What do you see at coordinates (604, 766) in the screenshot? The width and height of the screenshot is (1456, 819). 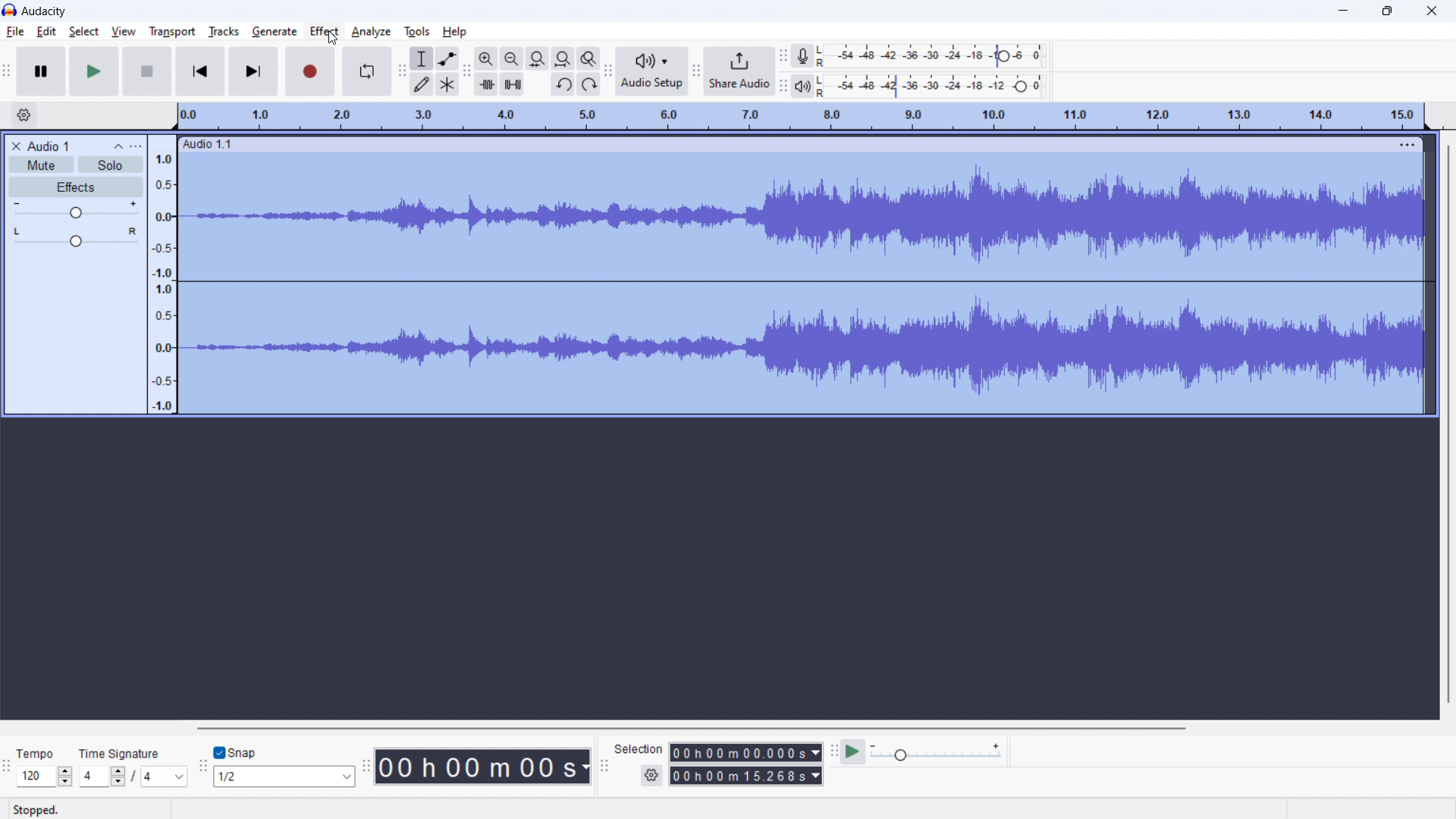 I see `selection toolbar` at bounding box center [604, 766].